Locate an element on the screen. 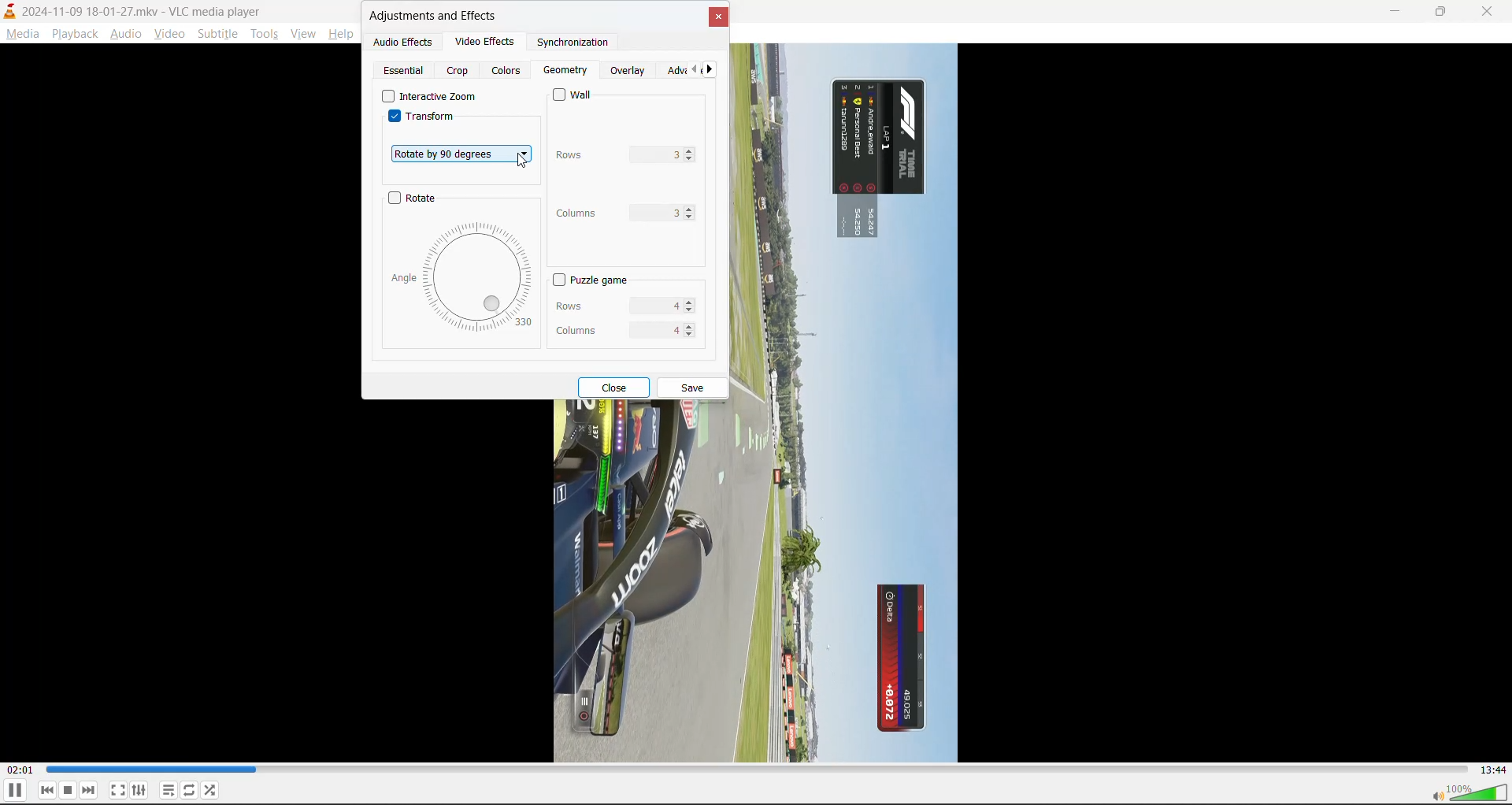 The width and height of the screenshot is (1512, 805). close is located at coordinates (617, 387).